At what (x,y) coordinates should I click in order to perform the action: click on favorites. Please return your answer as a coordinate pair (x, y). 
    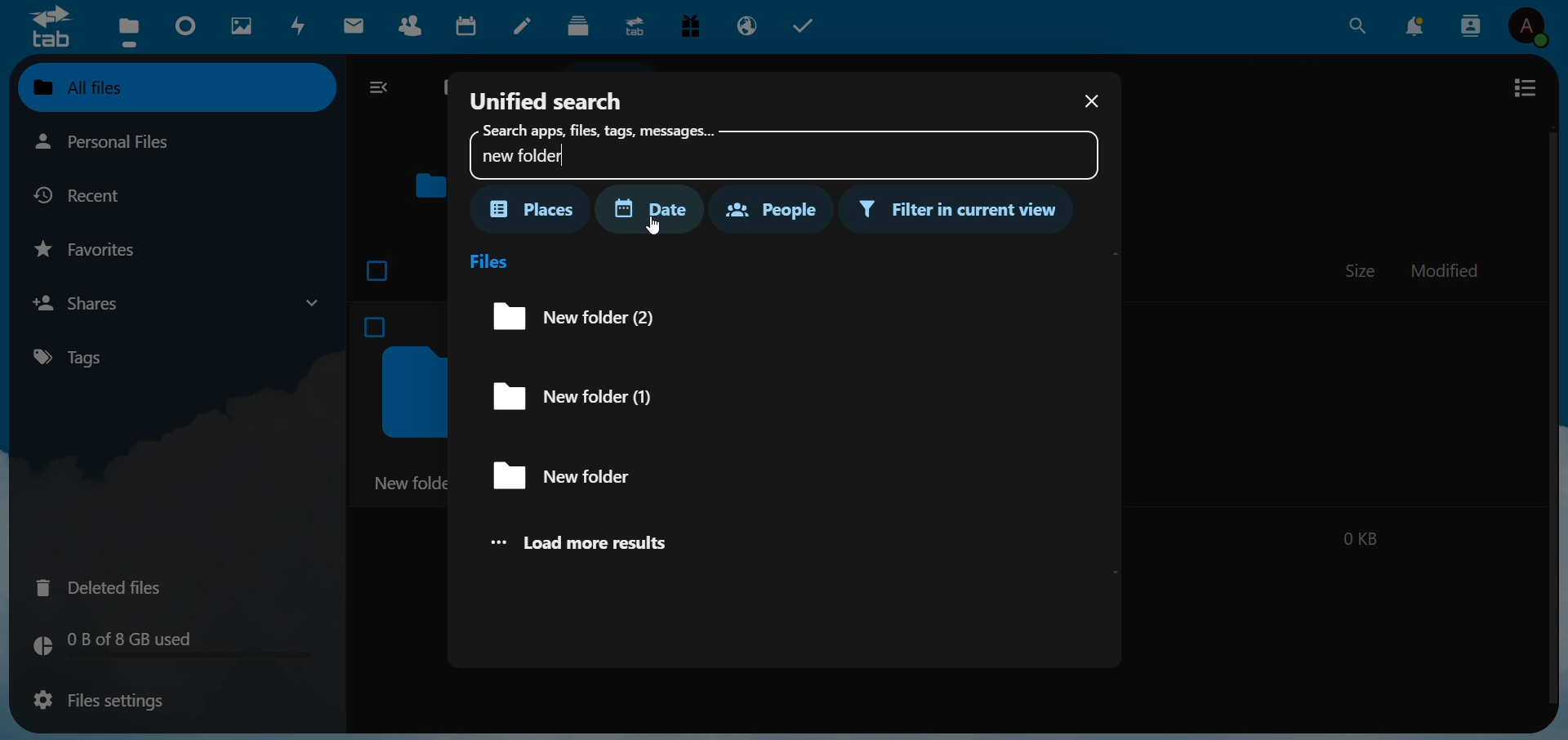
    Looking at the image, I should click on (94, 248).